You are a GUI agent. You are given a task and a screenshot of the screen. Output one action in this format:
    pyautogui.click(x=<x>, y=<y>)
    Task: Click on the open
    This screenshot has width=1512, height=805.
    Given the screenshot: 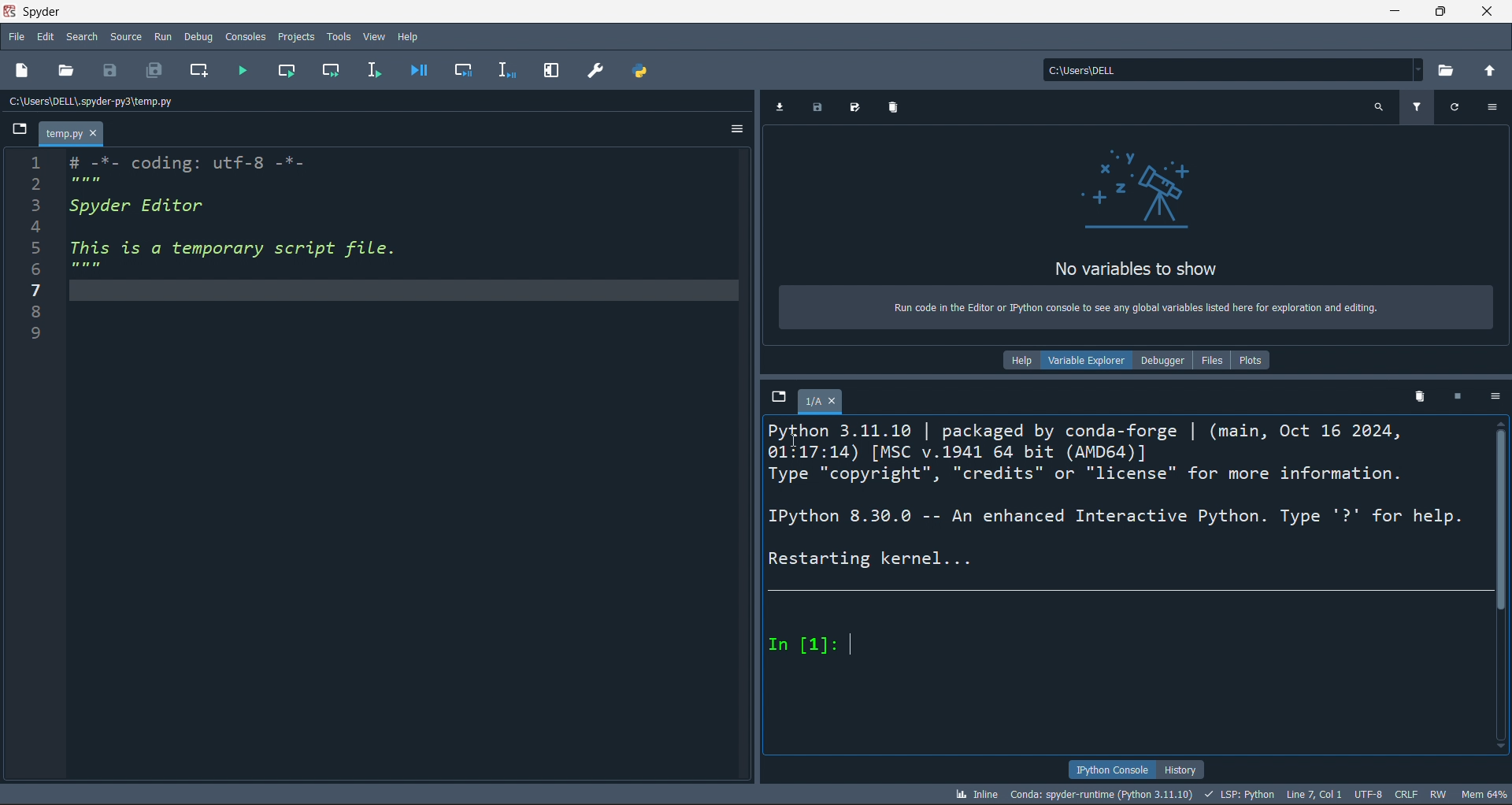 What is the action you would take?
    pyautogui.click(x=68, y=70)
    